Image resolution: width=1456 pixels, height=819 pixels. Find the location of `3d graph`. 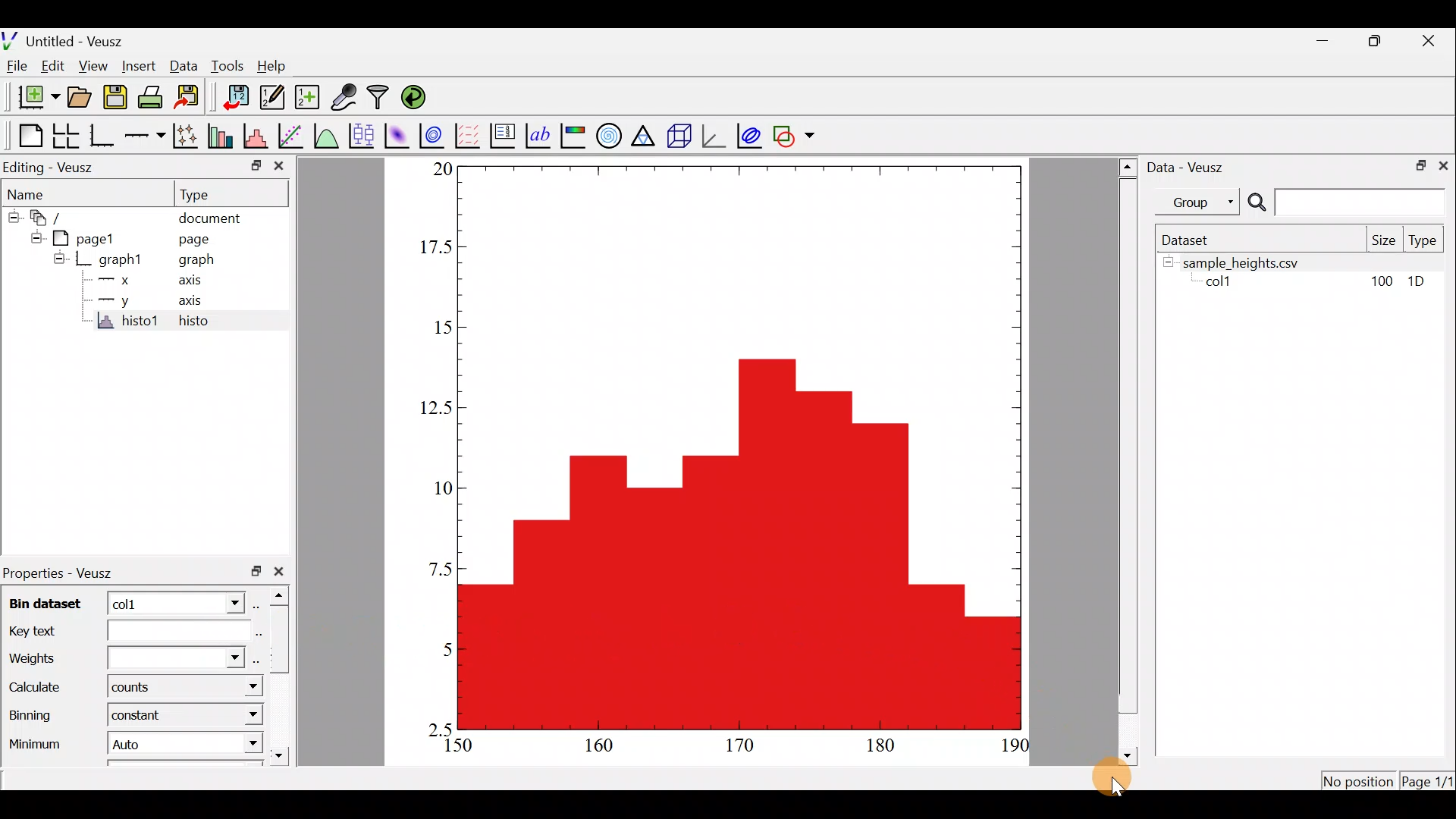

3d graph is located at coordinates (715, 136).